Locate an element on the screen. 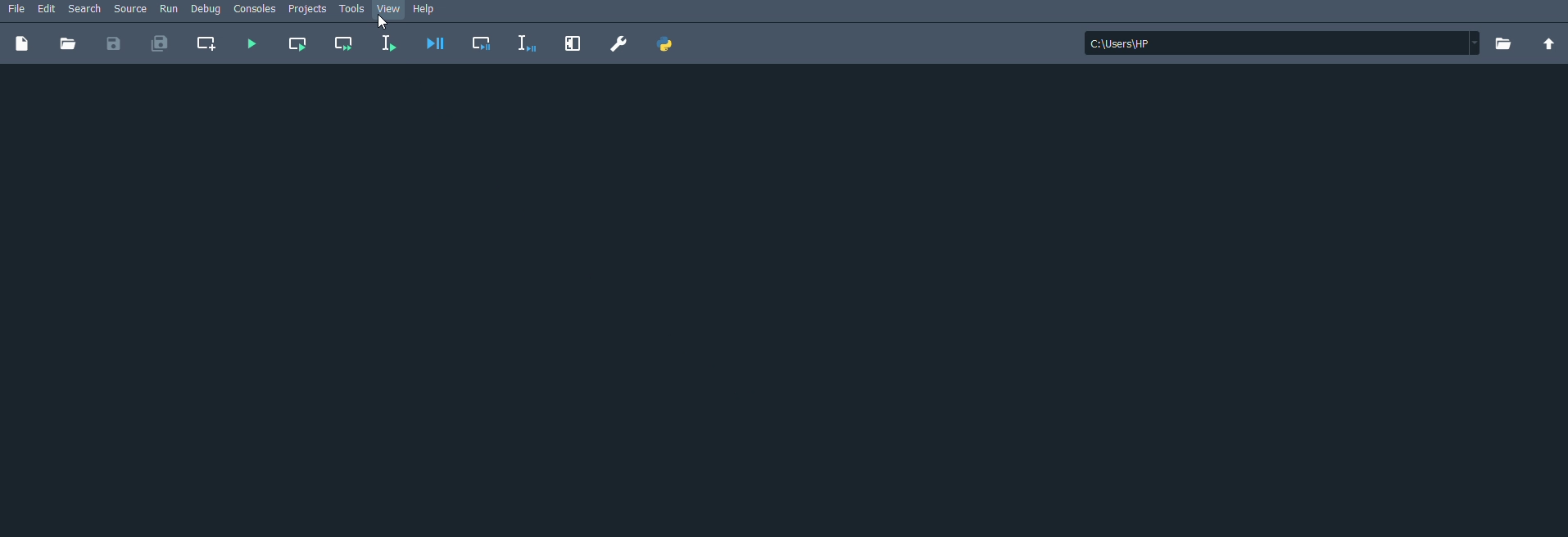  Run file is located at coordinates (250, 44).